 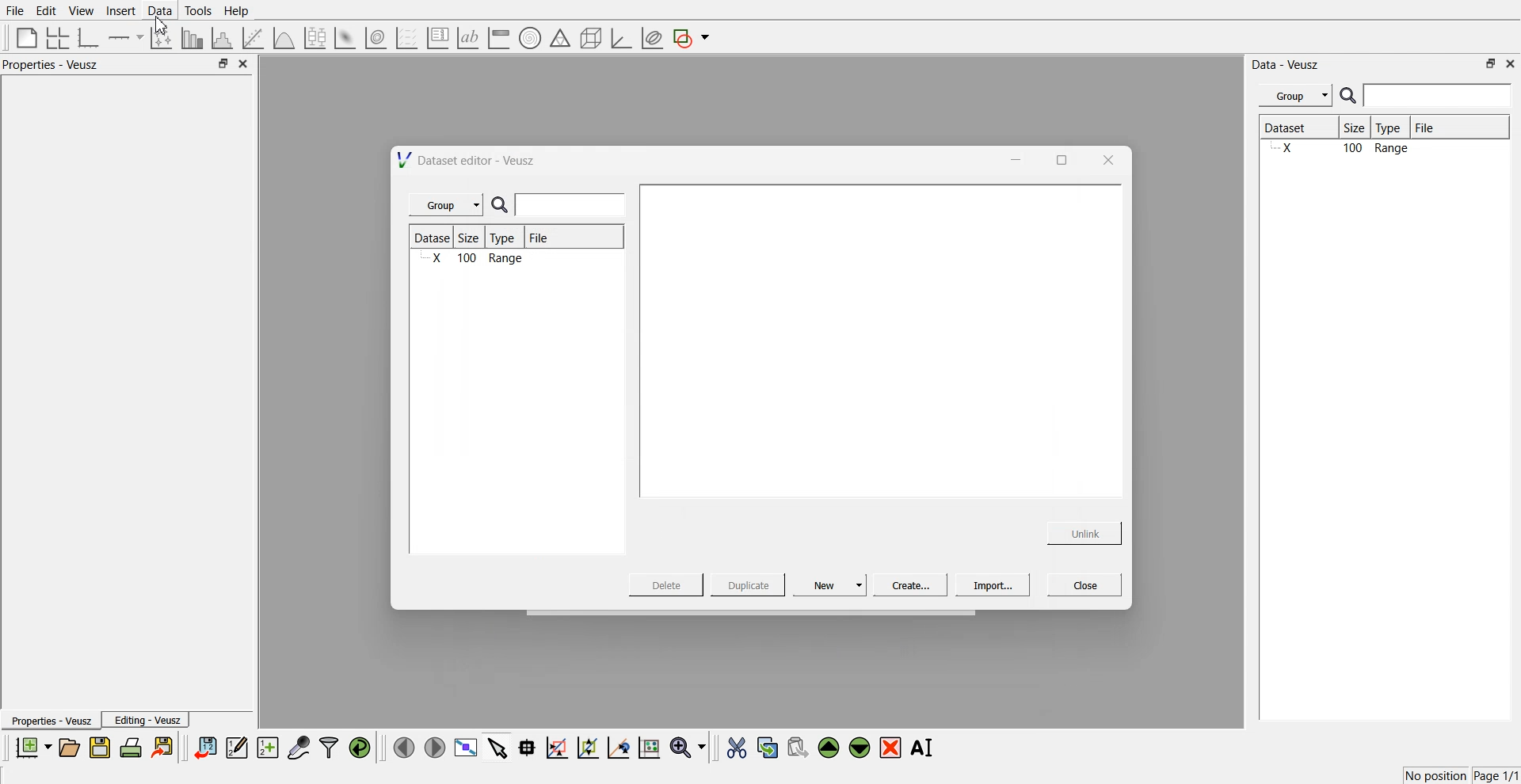 I want to click on edit and enter data points, so click(x=237, y=749).